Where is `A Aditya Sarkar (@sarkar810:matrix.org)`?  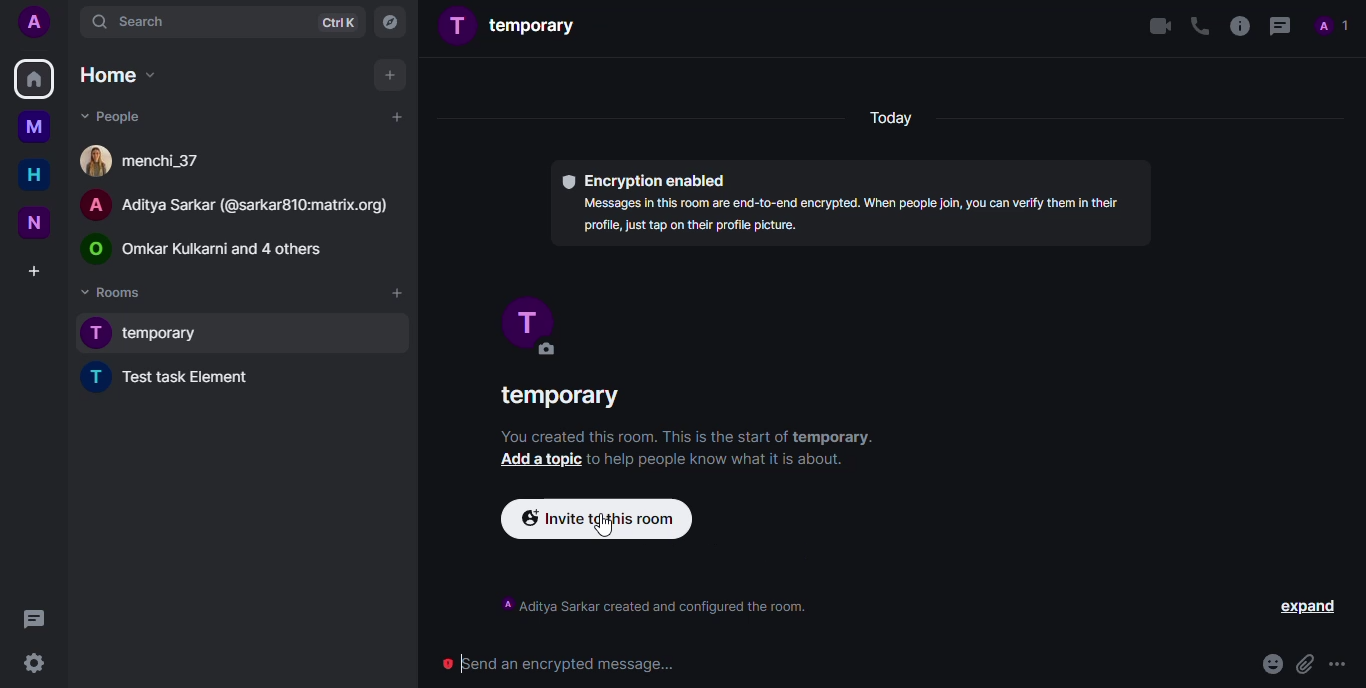
A Aditya Sarkar (@sarkar810:matrix.org) is located at coordinates (243, 205).